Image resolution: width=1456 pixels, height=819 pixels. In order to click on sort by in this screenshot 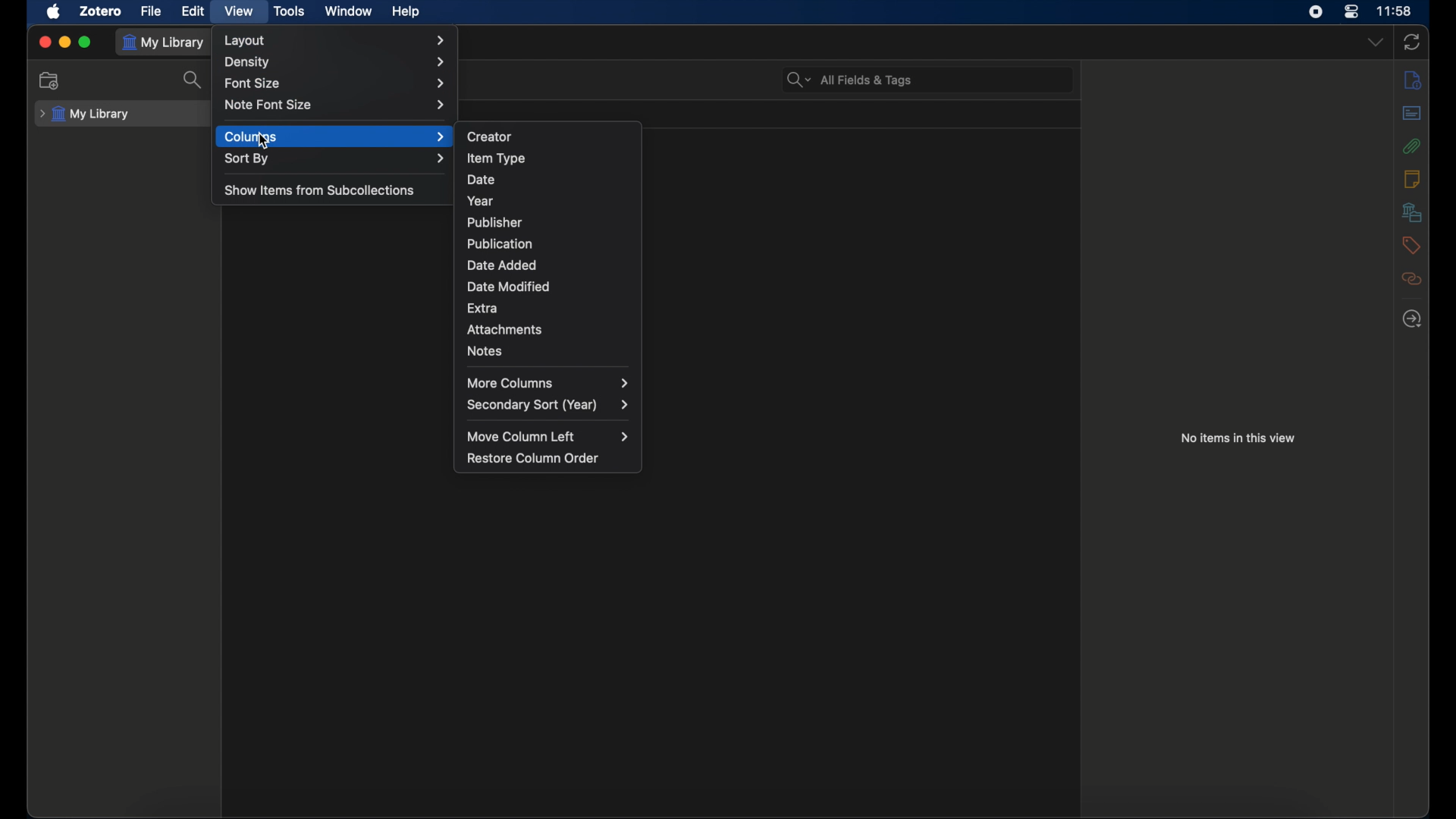, I will do `click(334, 158)`.